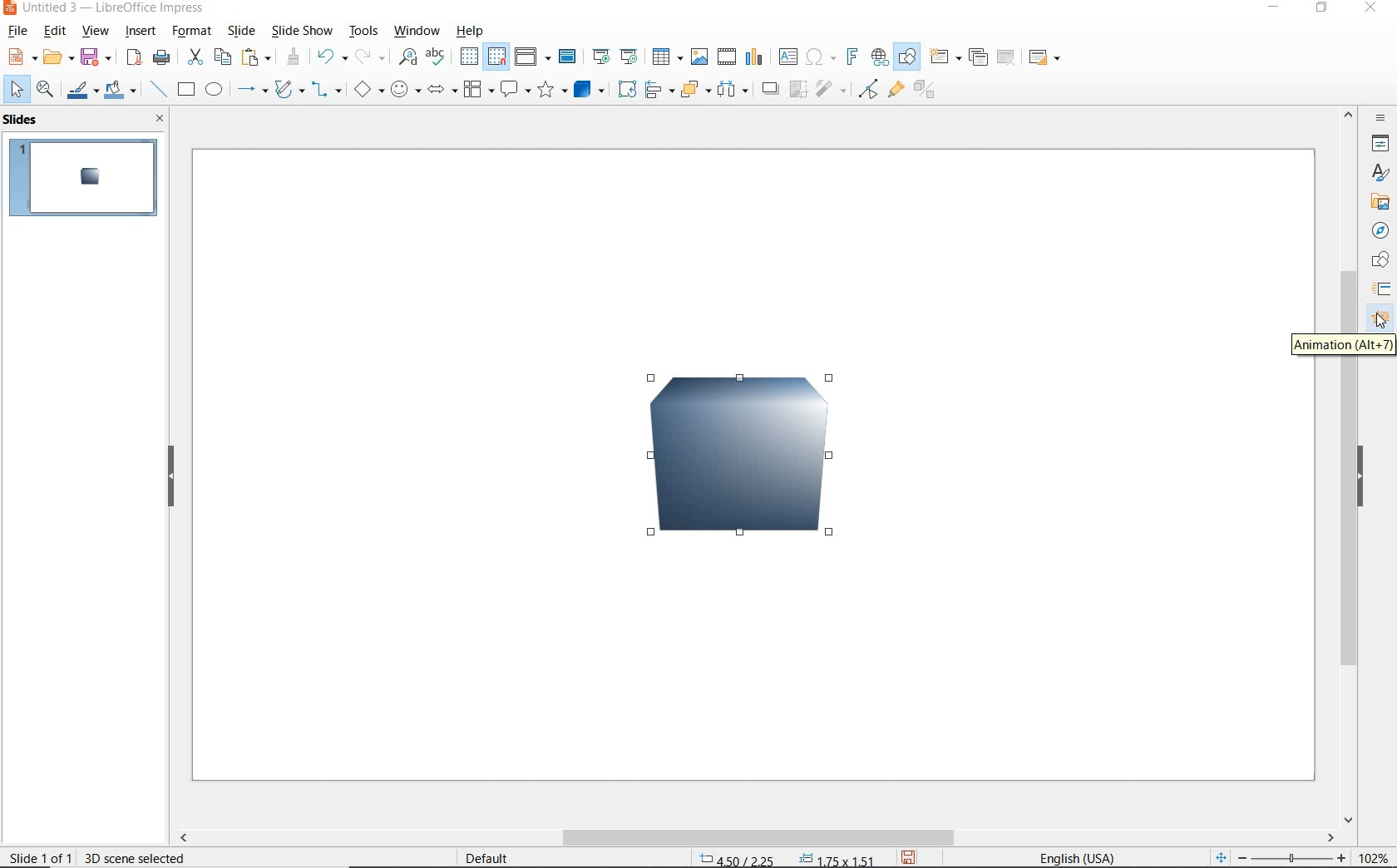 The width and height of the screenshot is (1397, 868). Describe the element at coordinates (659, 89) in the screenshot. I see `align objects` at that location.